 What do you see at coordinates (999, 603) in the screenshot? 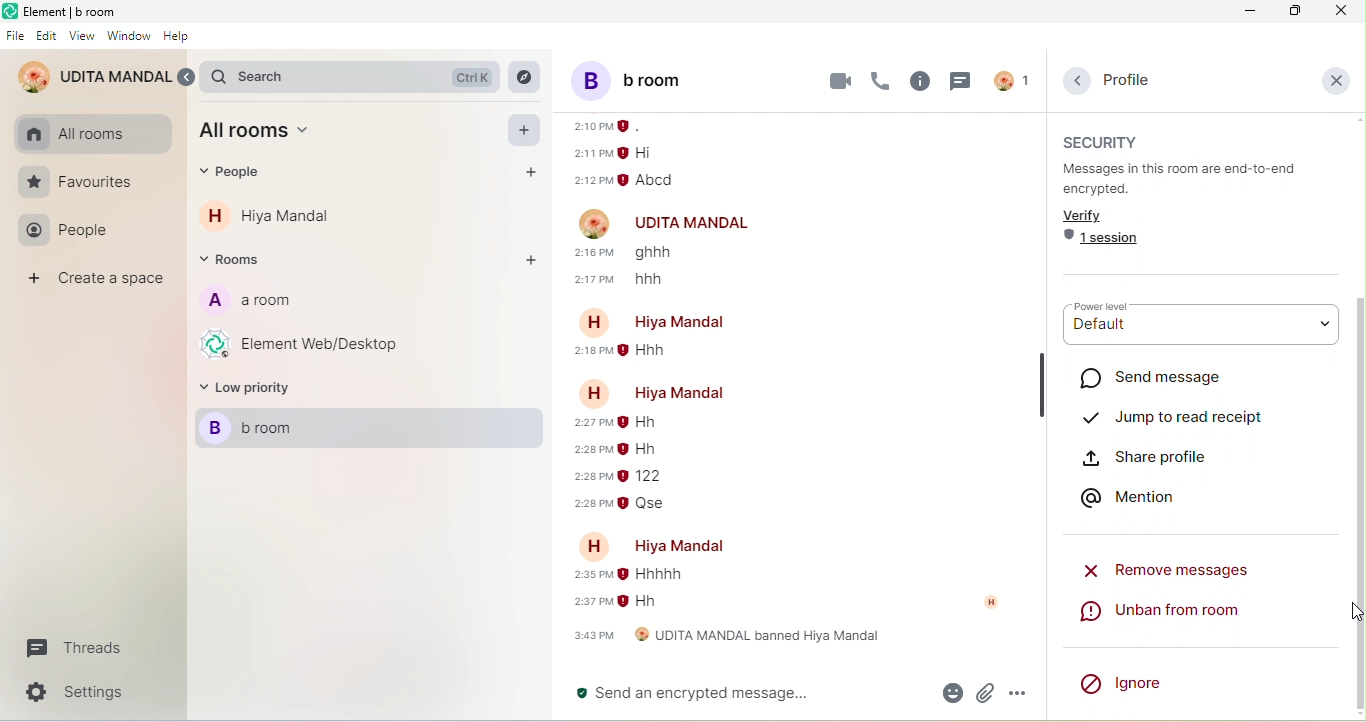
I see `read by hiya mandal` at bounding box center [999, 603].